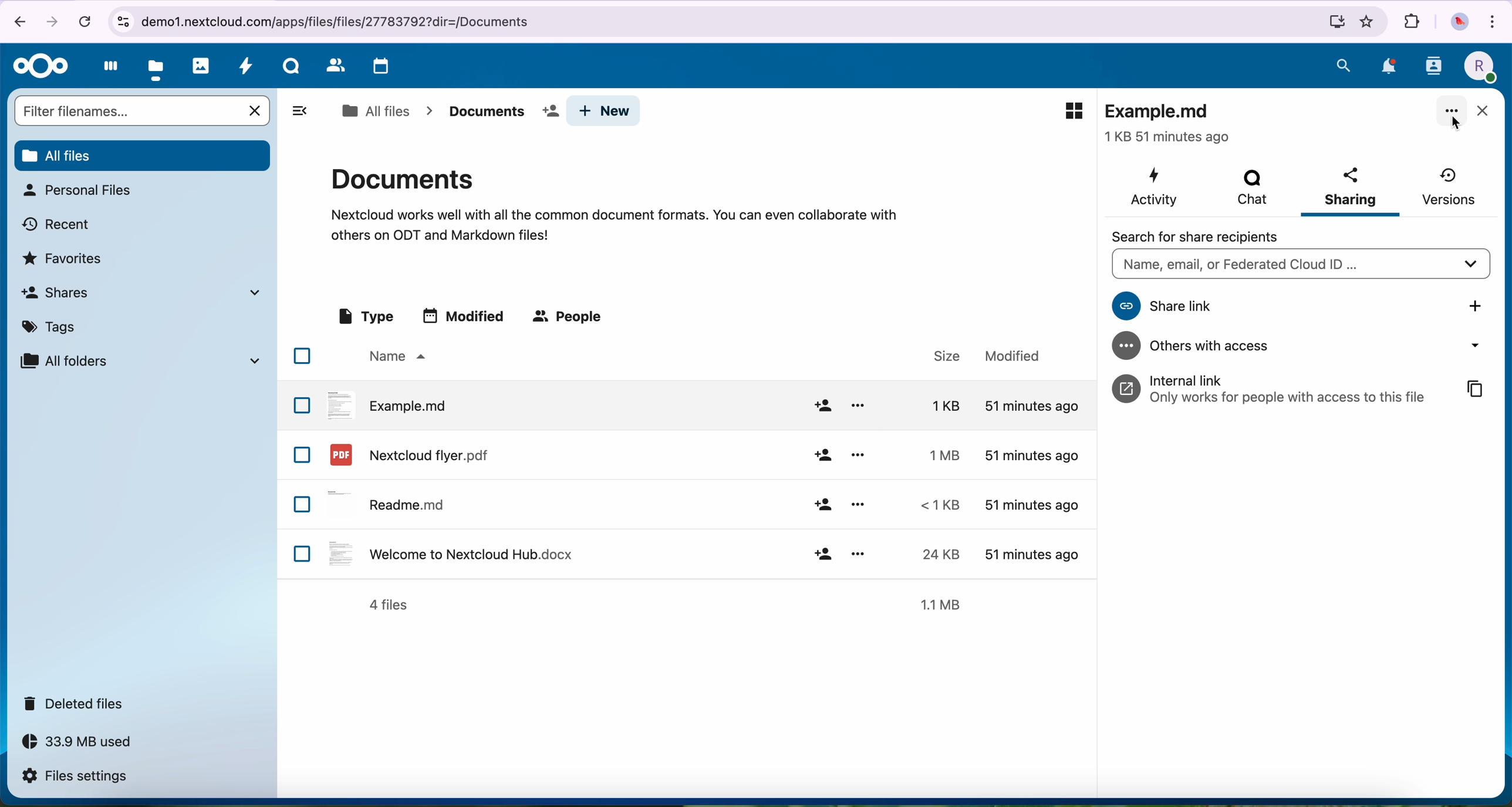 The image size is (1512, 807). Describe the element at coordinates (1386, 66) in the screenshot. I see `notifications` at that location.